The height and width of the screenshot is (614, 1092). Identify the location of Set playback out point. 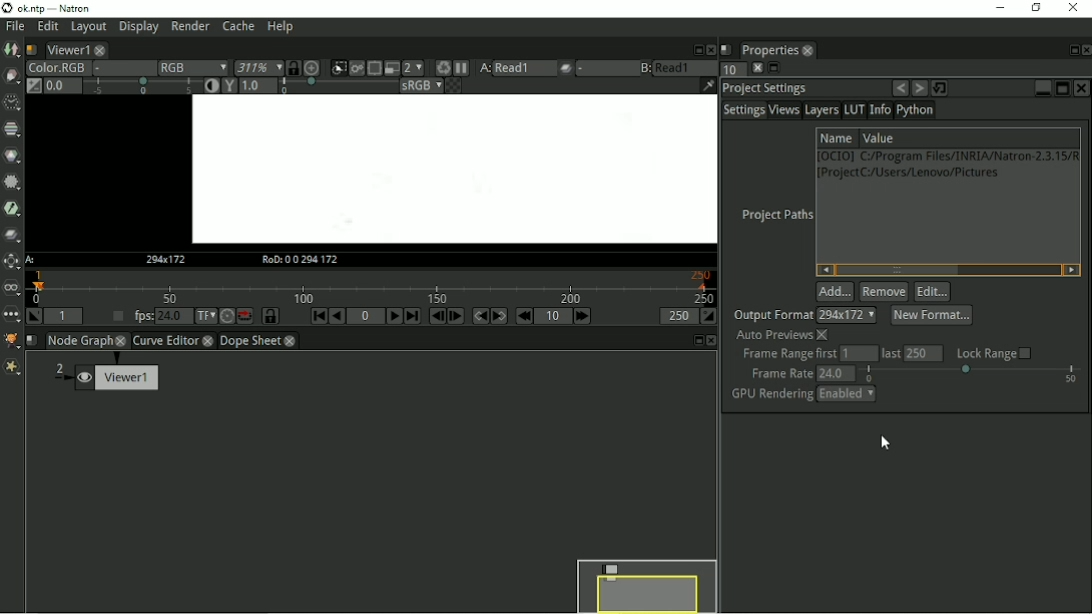
(711, 317).